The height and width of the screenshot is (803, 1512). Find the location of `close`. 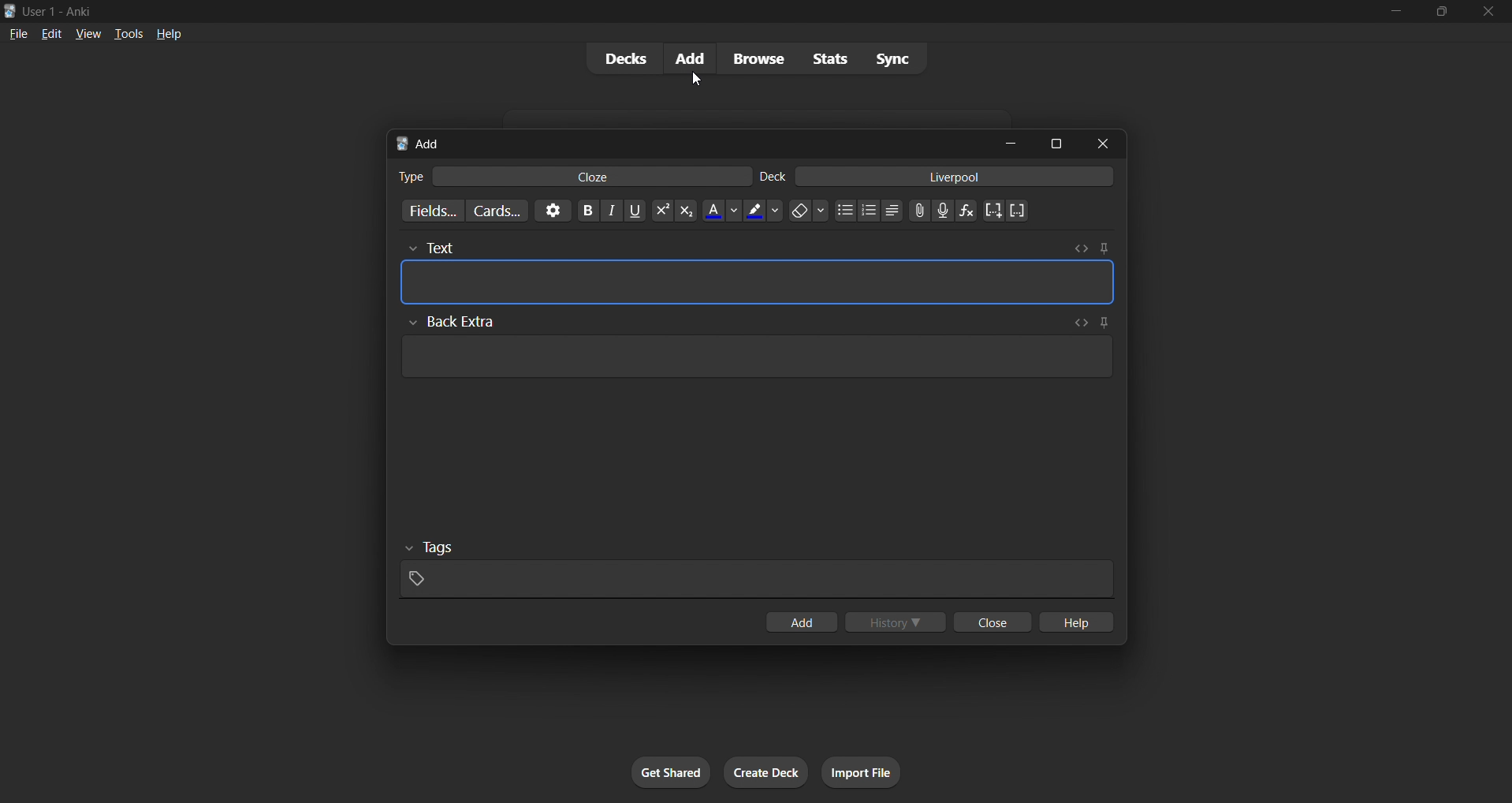

close is located at coordinates (994, 622).